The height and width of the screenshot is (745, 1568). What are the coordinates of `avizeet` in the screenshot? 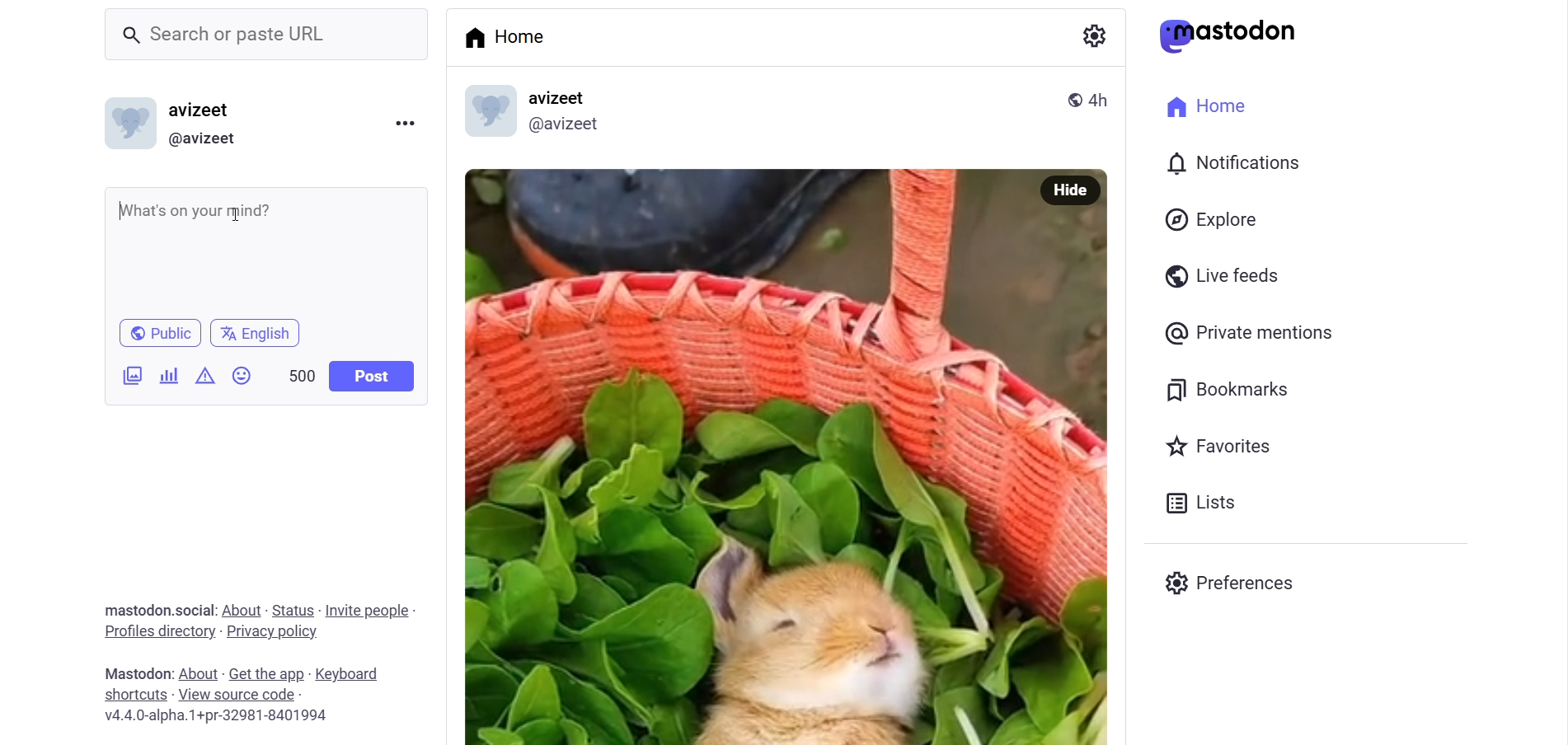 It's located at (566, 97).